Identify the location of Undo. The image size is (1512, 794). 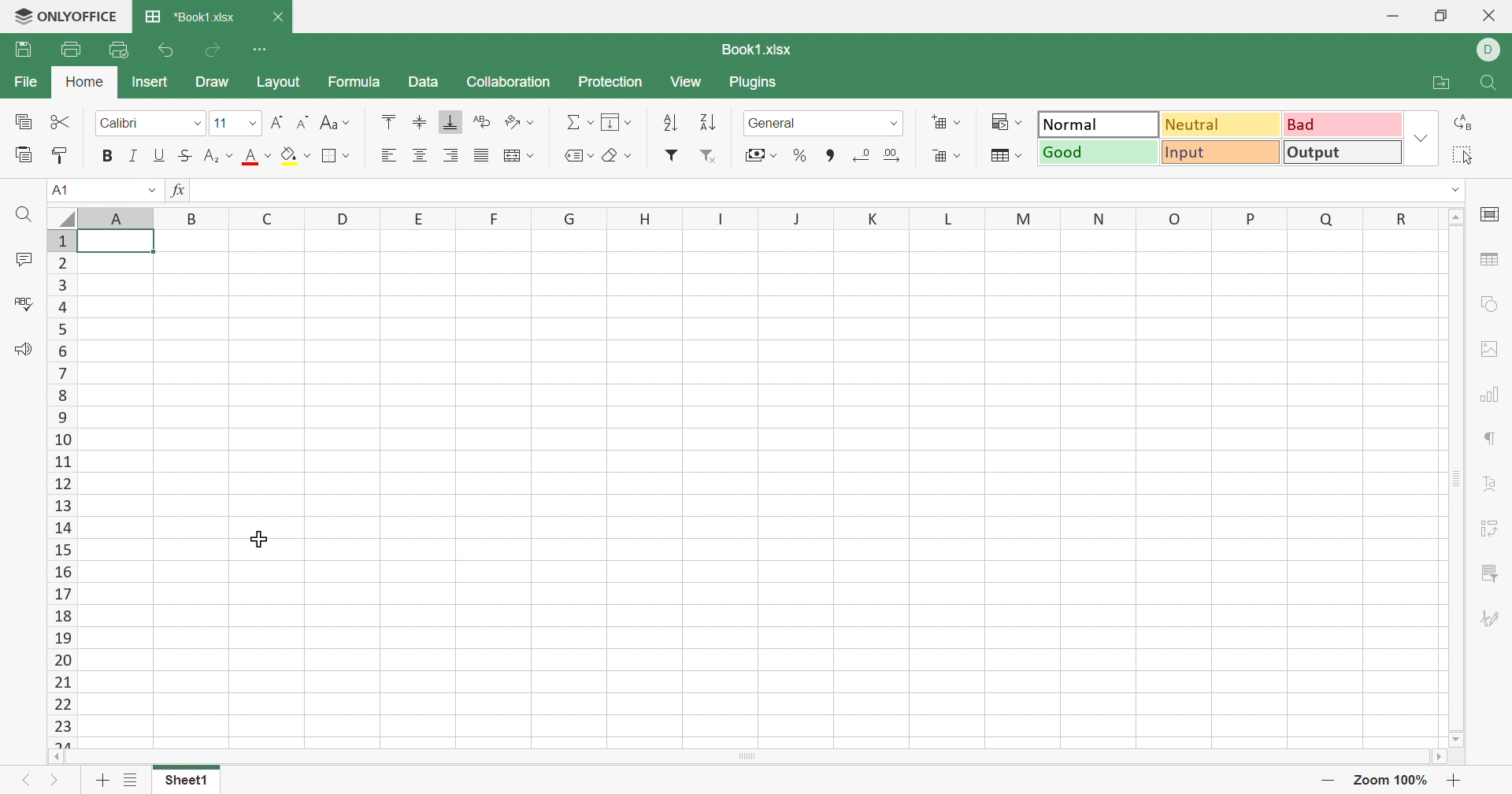
(169, 50).